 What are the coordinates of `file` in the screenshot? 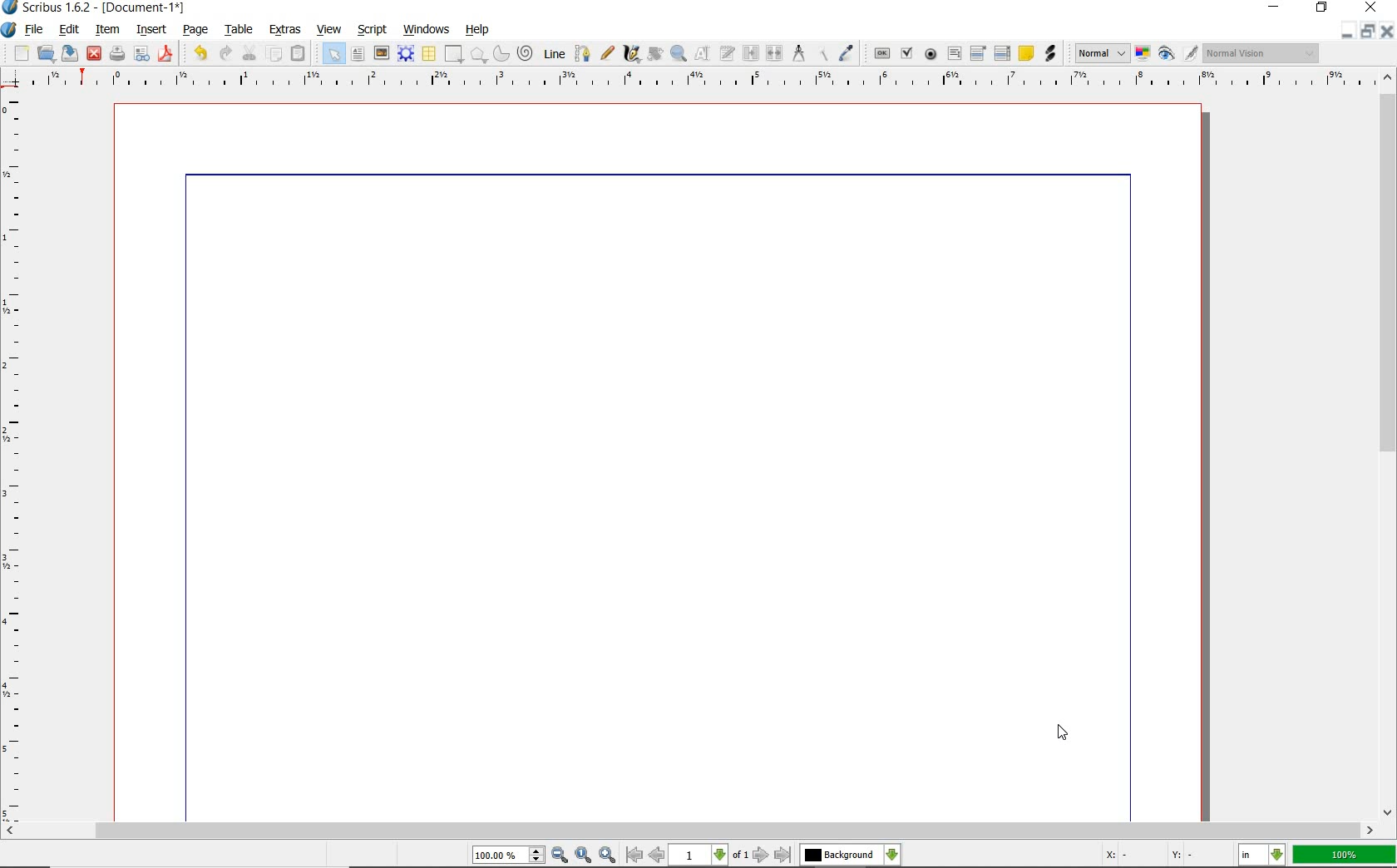 It's located at (35, 28).